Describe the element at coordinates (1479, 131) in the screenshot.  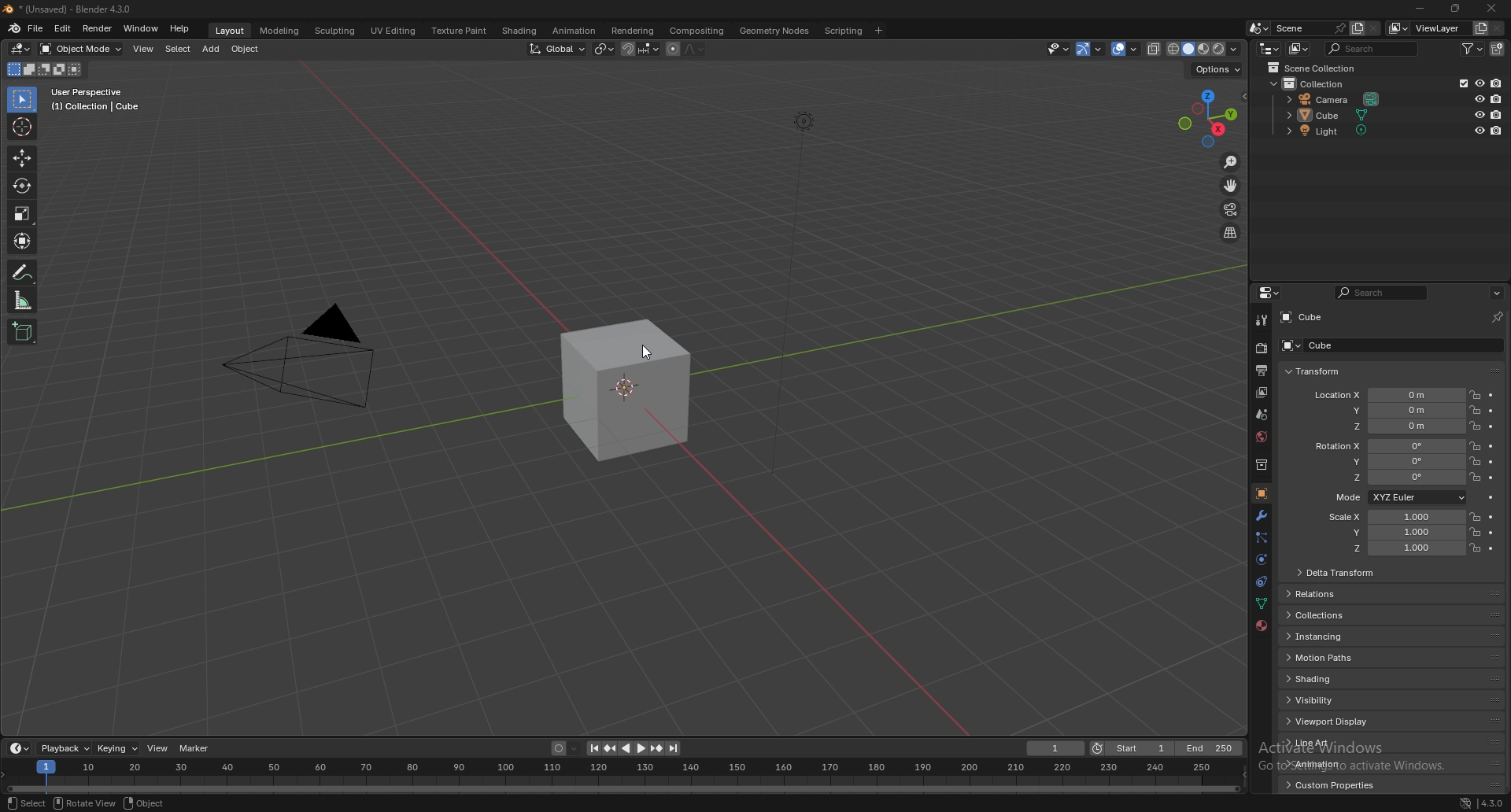
I see `hide in viewport` at that location.